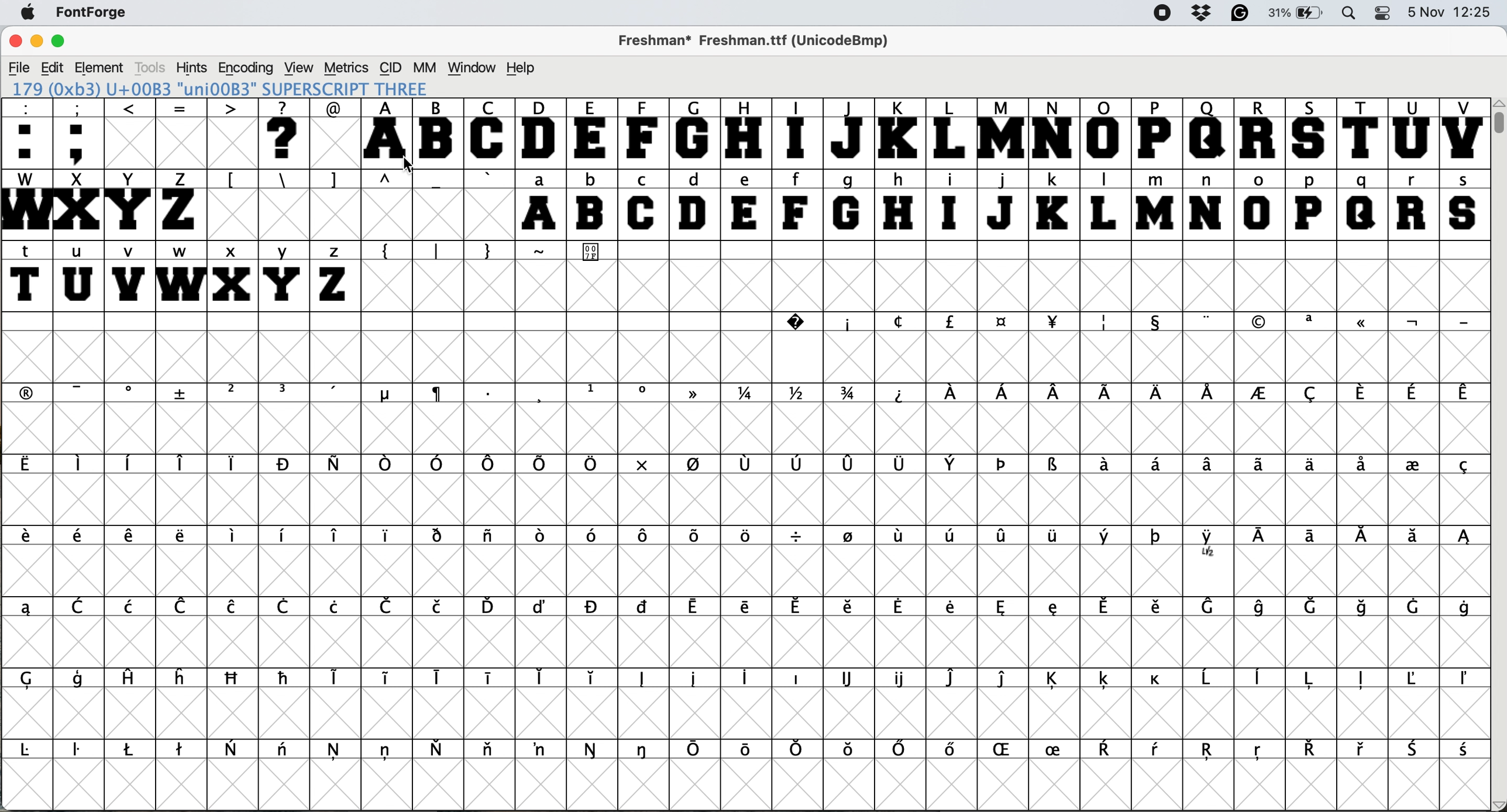  I want to click on symbol, so click(287, 536).